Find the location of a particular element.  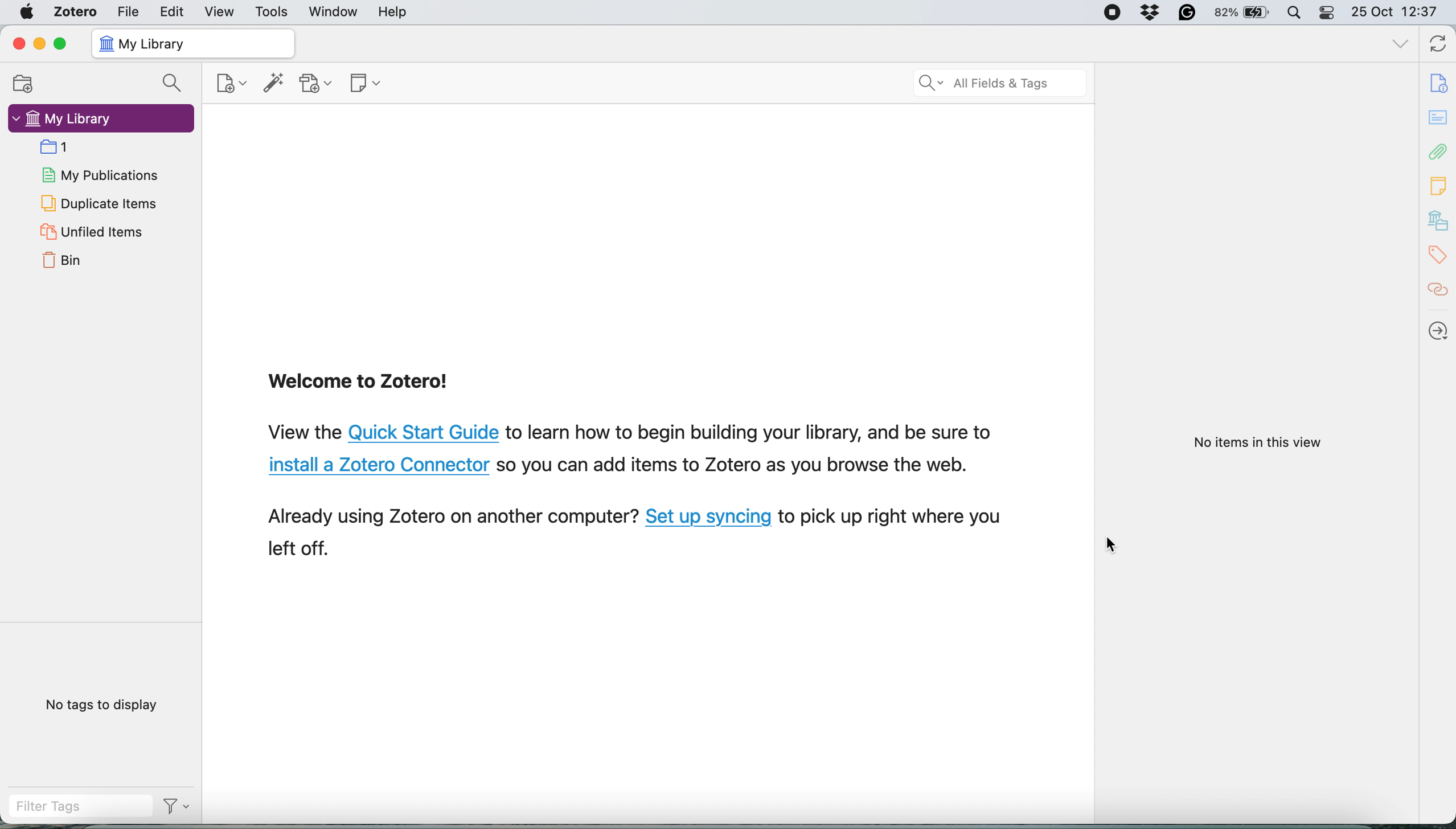

new collection is located at coordinates (19, 85).